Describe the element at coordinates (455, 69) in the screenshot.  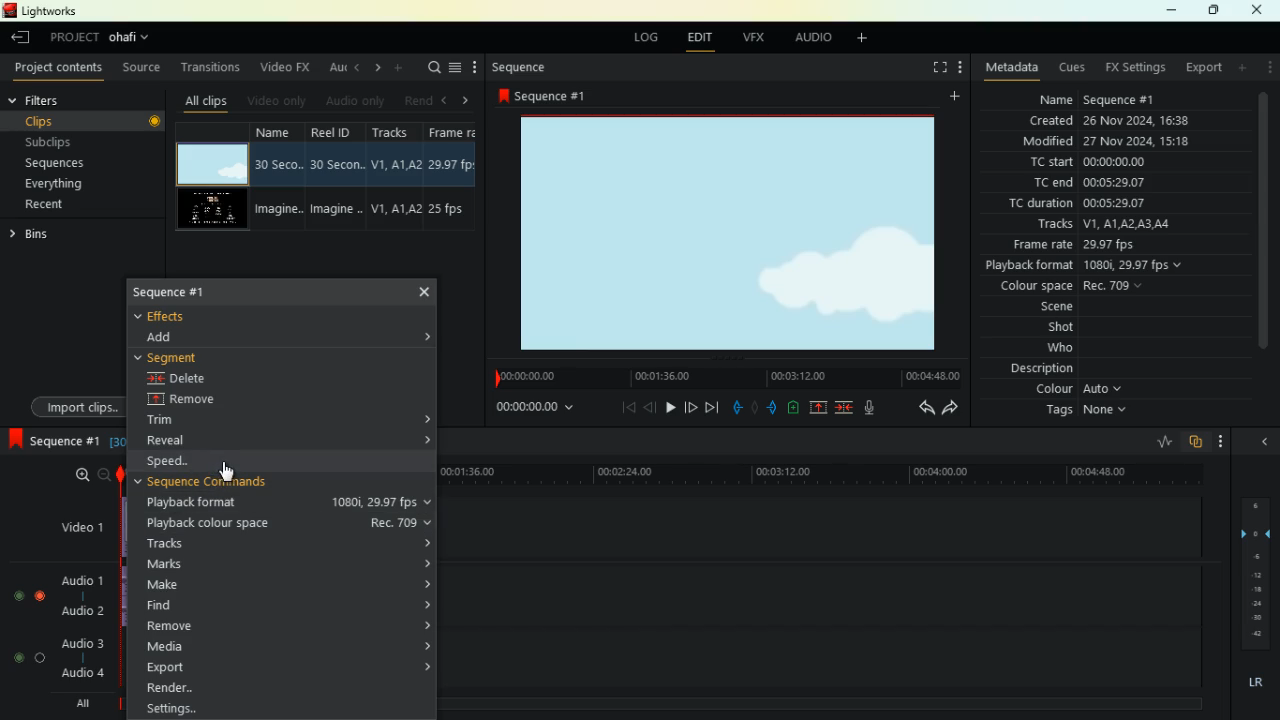
I see `menu` at that location.